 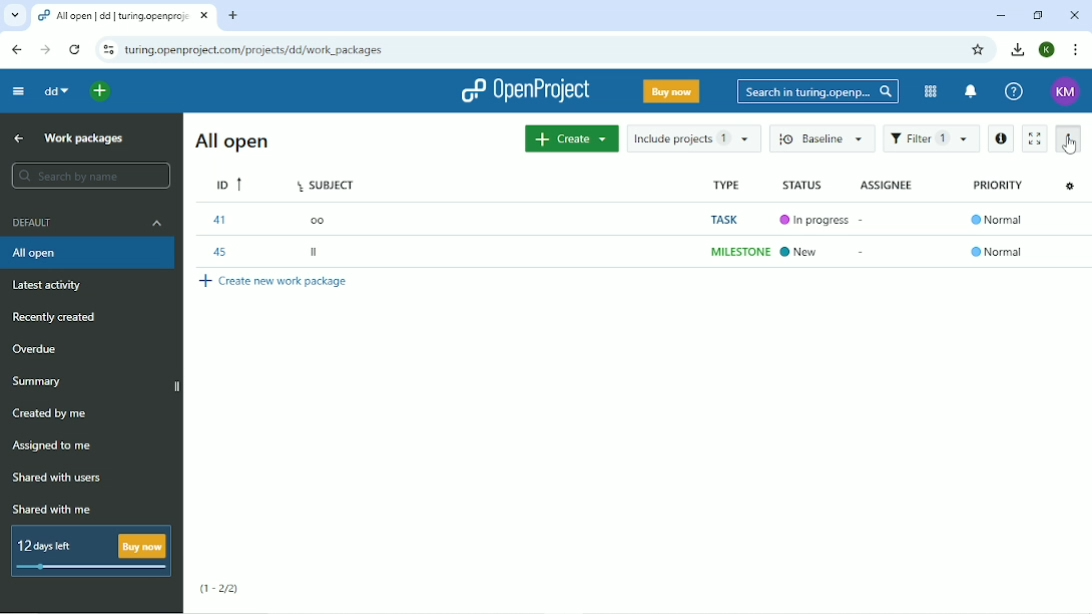 I want to click on Default, so click(x=87, y=221).